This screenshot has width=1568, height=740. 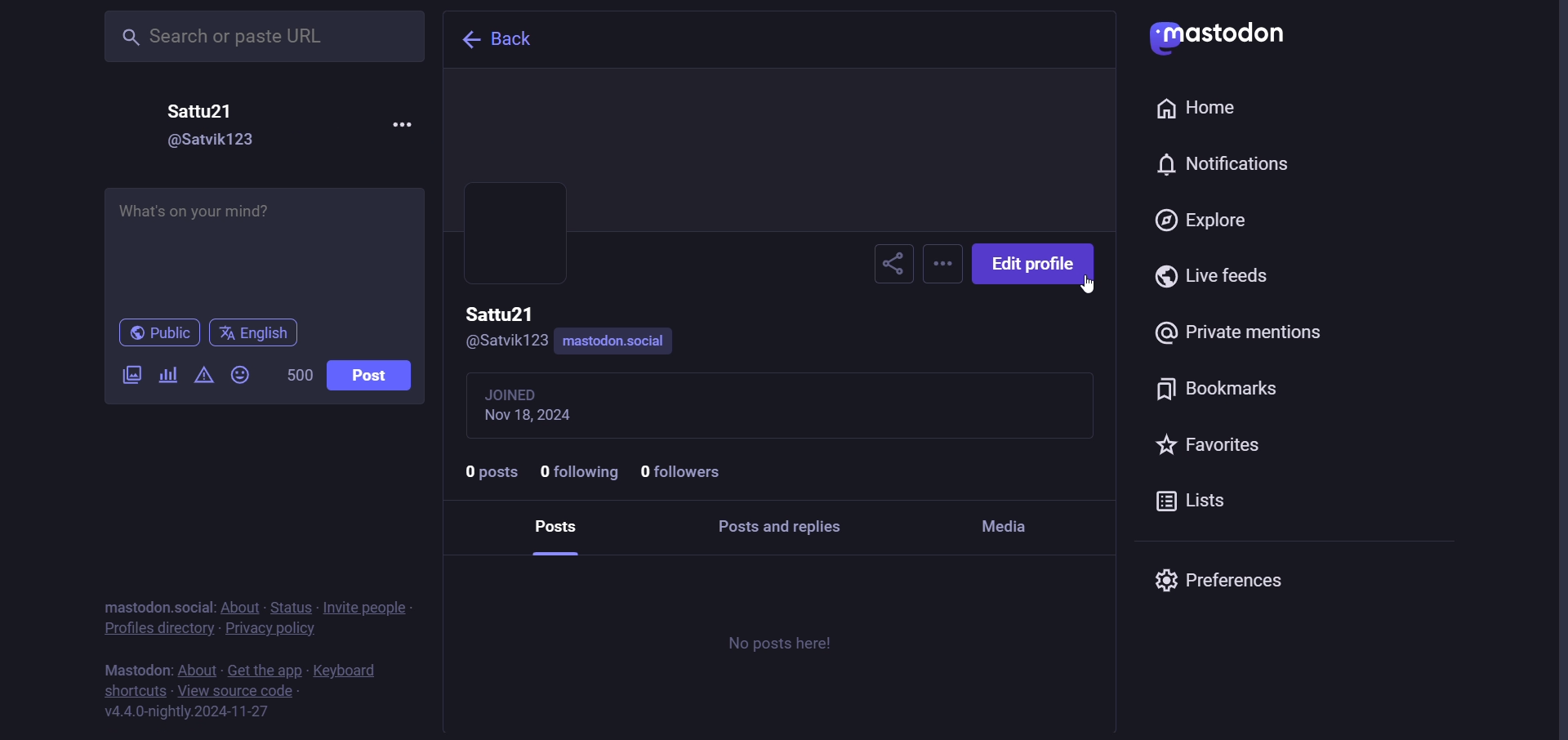 I want to click on mastodon, so click(x=1220, y=40).